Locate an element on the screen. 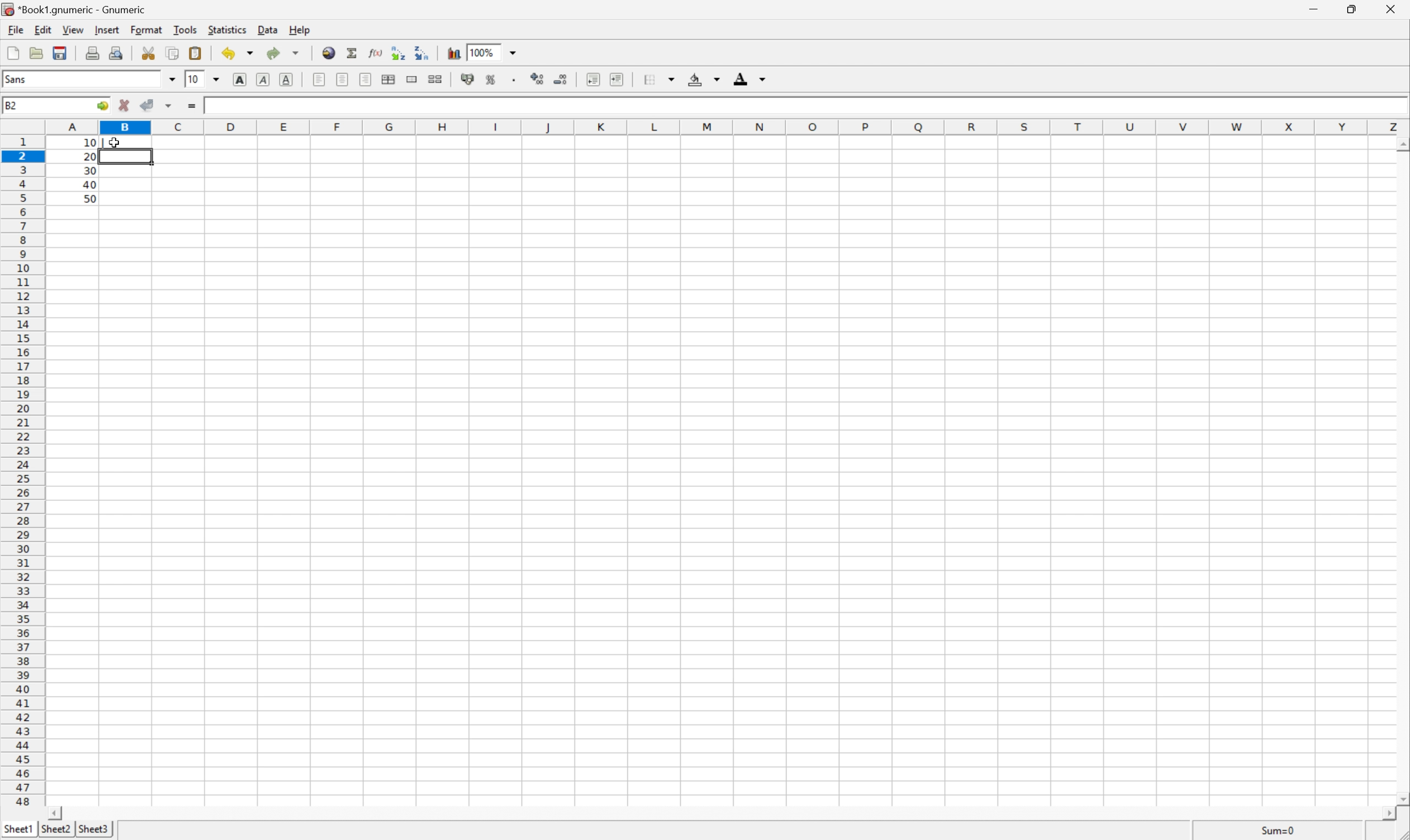  Decrease the number of decimals displayed is located at coordinates (559, 77).